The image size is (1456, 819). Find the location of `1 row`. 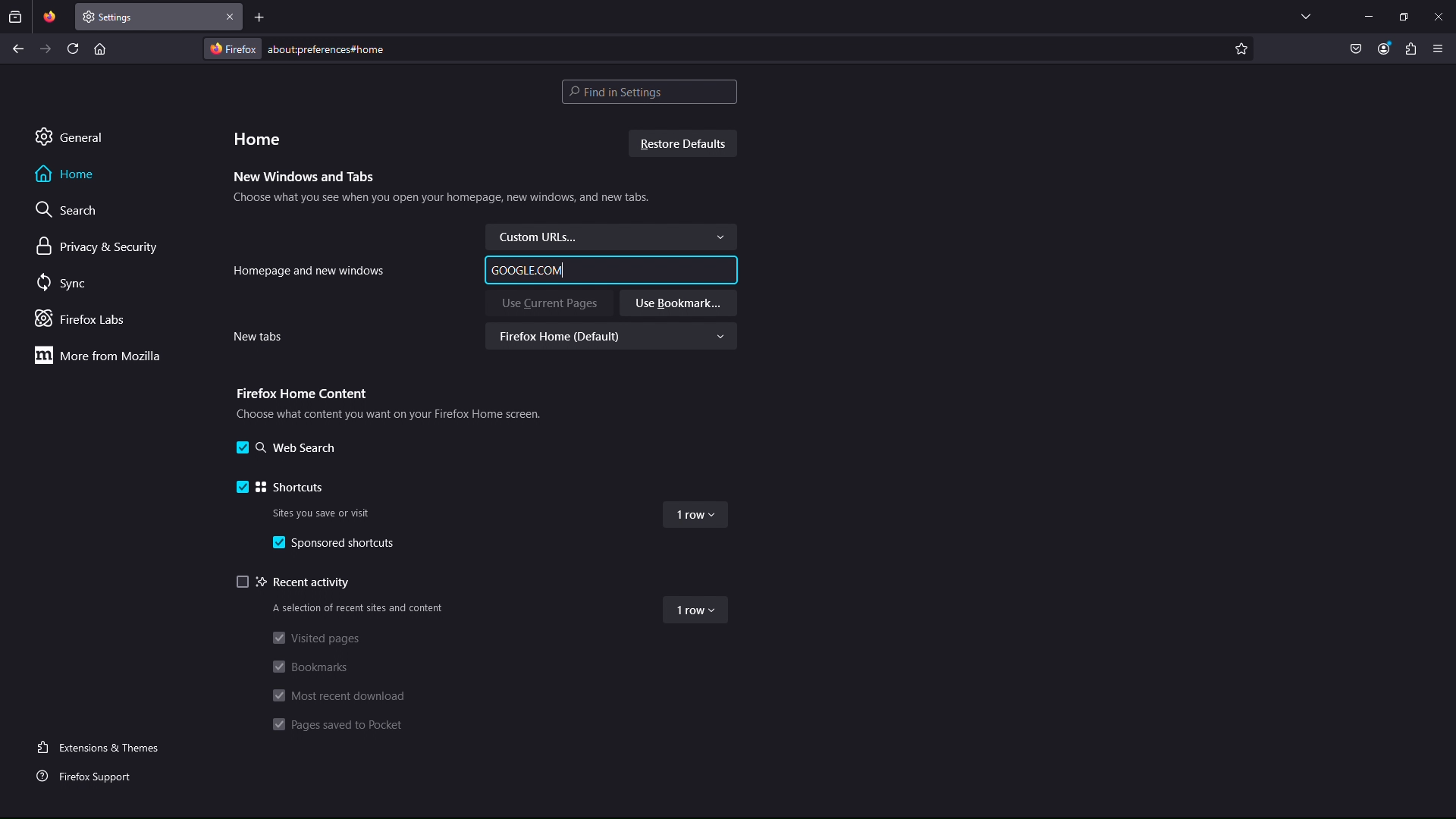

1 row is located at coordinates (696, 611).